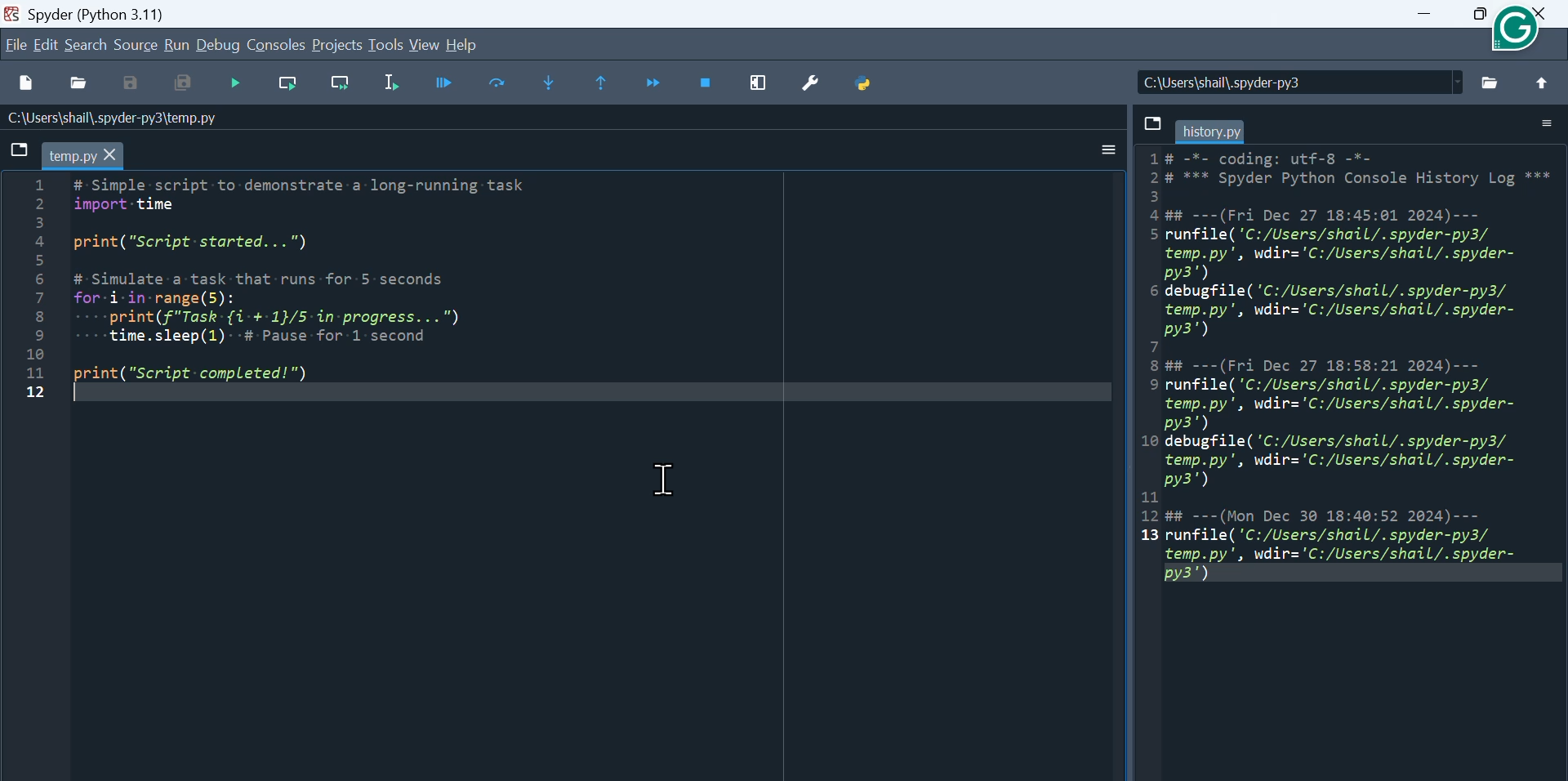 This screenshot has width=1568, height=781. I want to click on search, so click(87, 45).